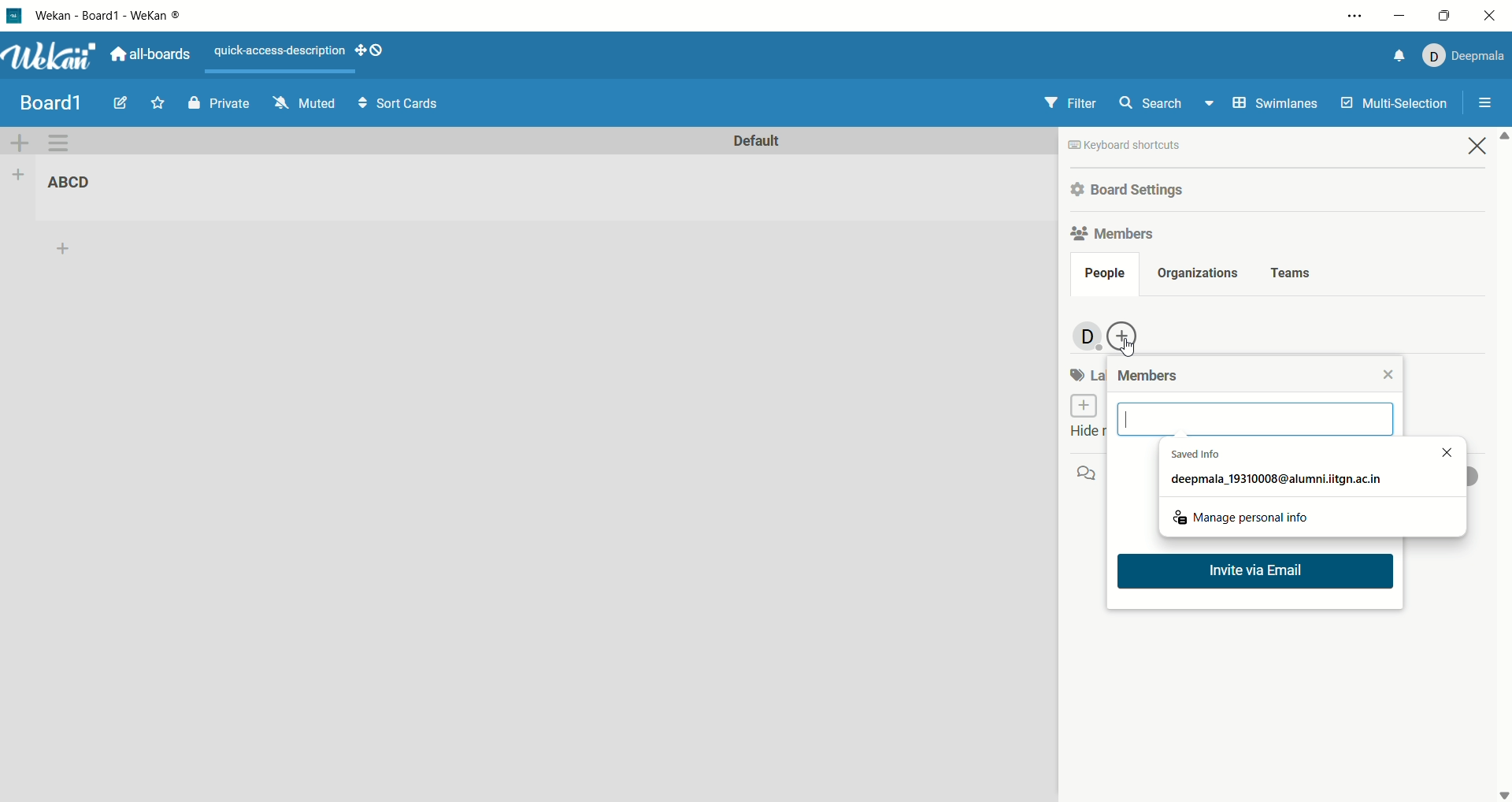 The image size is (1512, 802). I want to click on default, so click(755, 142).